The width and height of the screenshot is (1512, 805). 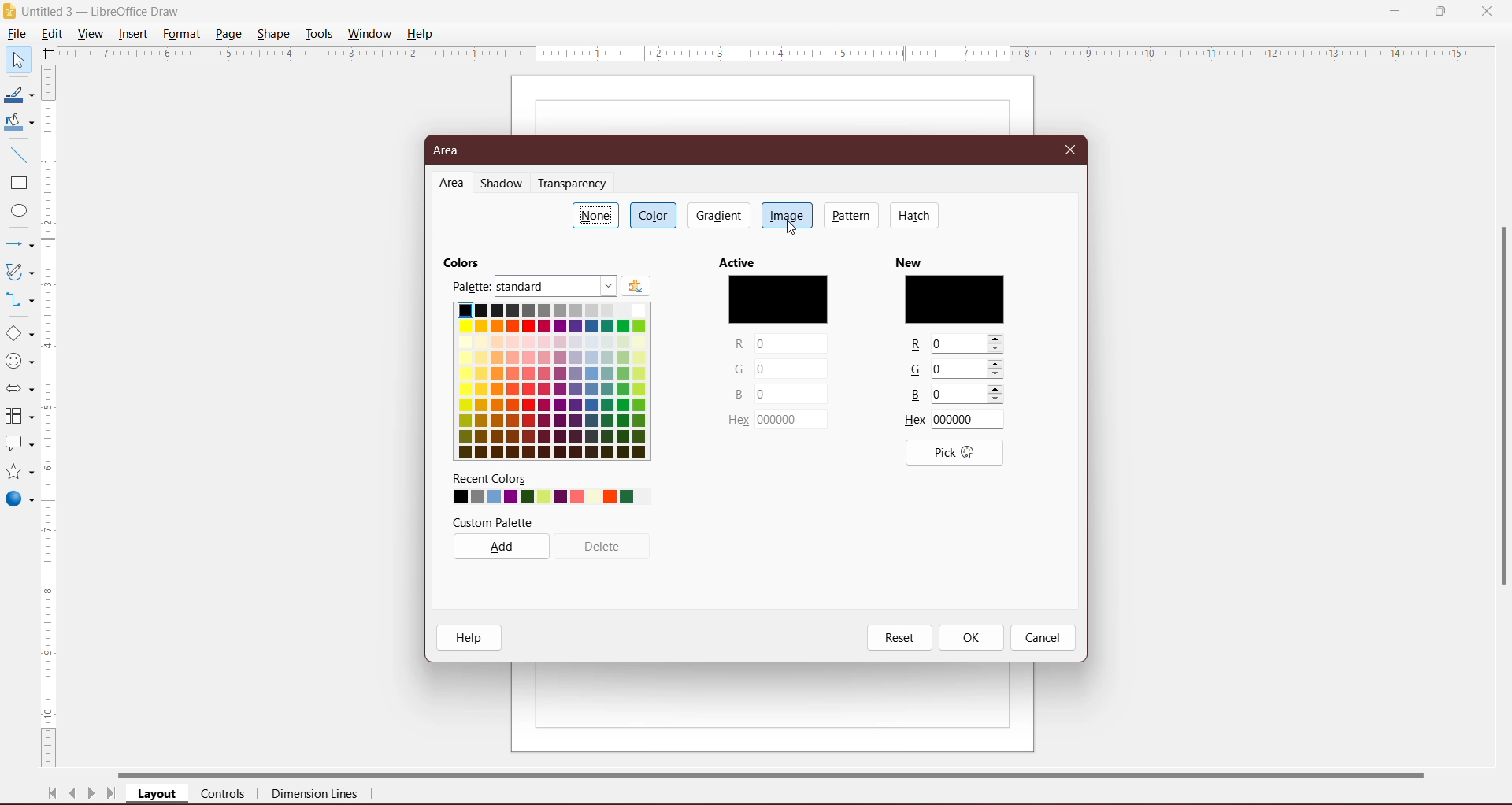 What do you see at coordinates (954, 260) in the screenshot?
I see `New` at bounding box center [954, 260].